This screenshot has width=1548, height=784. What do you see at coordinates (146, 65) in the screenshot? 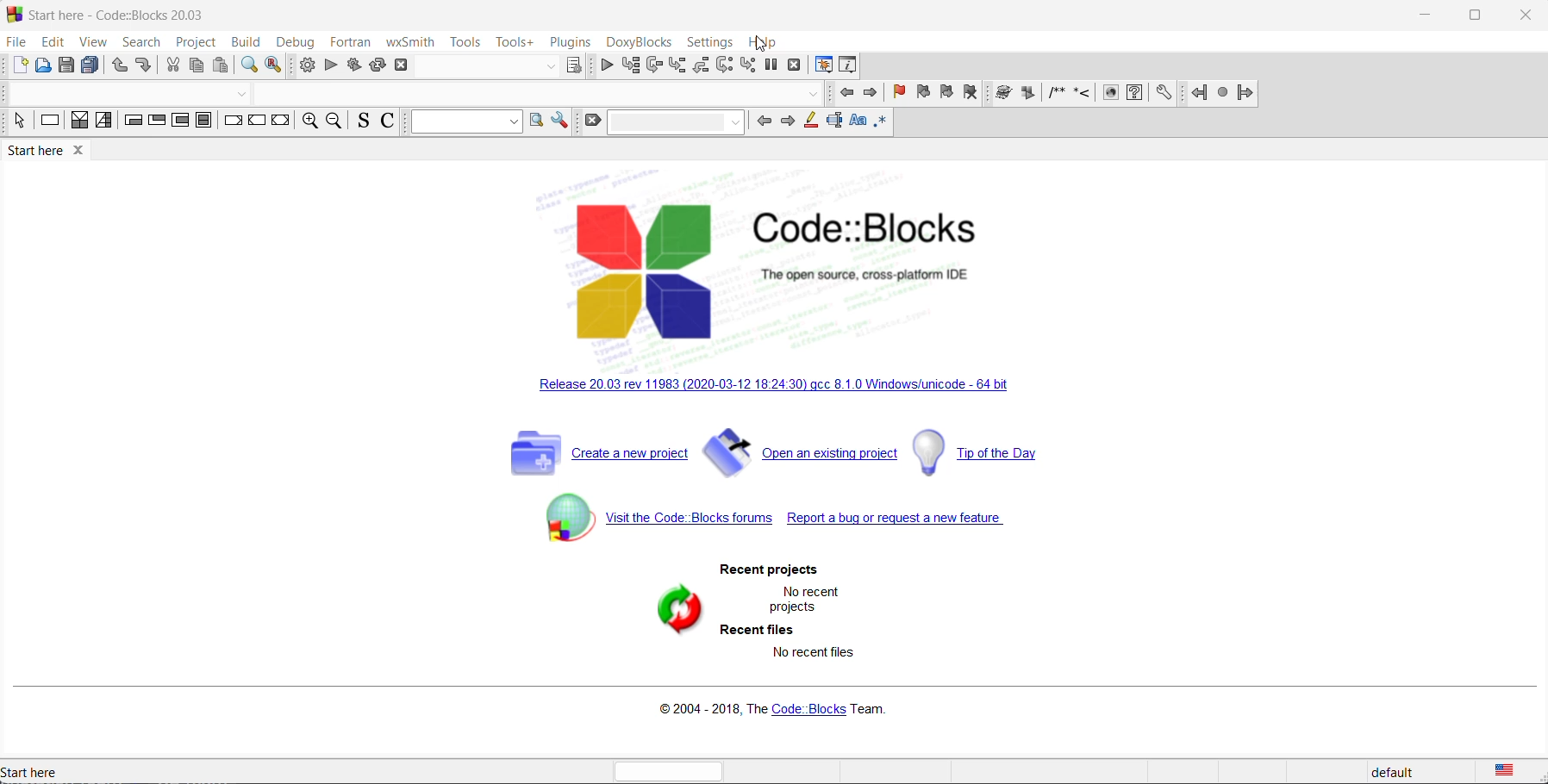
I see `redo` at bounding box center [146, 65].